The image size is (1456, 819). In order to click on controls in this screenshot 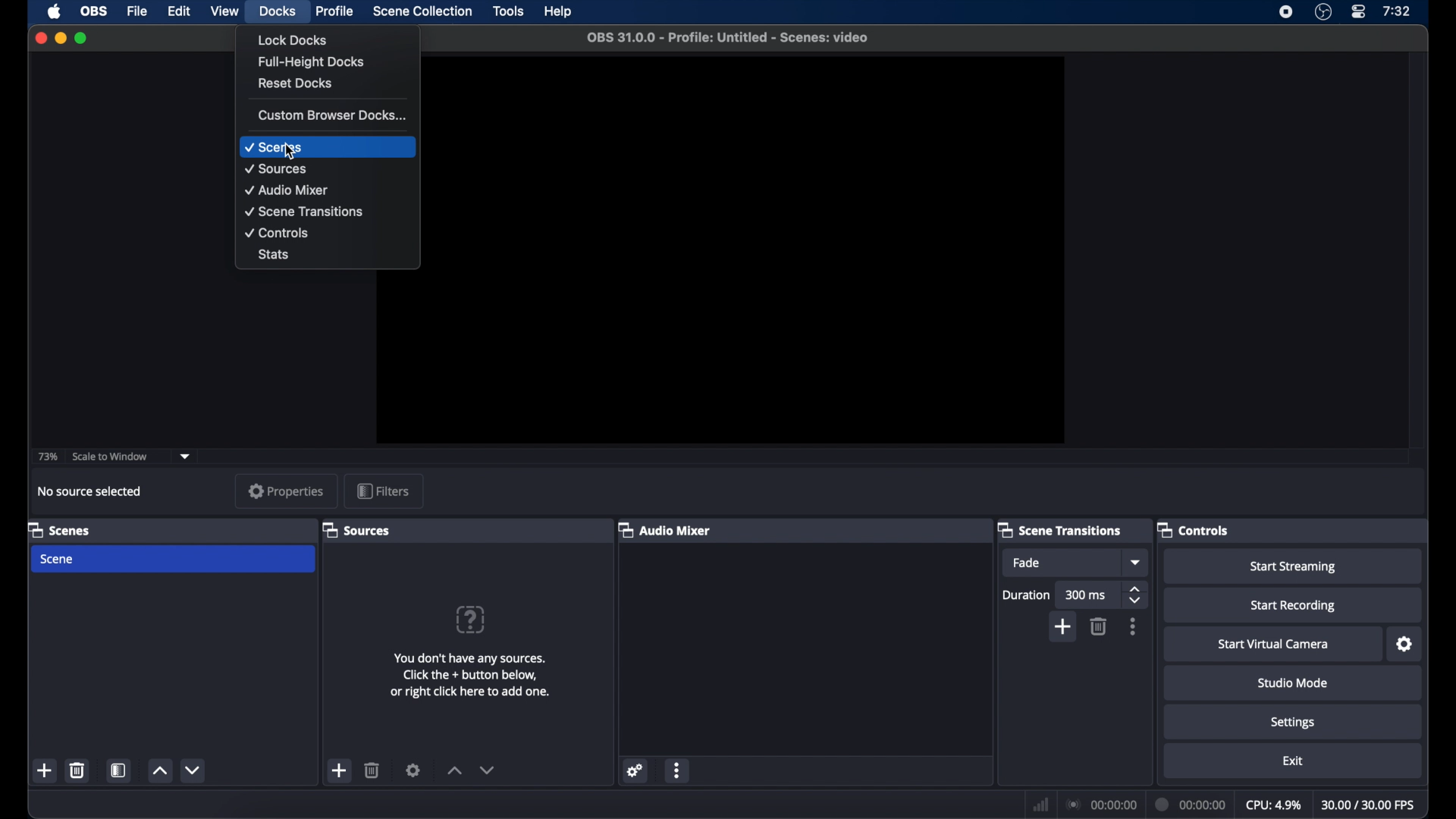, I will do `click(1194, 530)`.